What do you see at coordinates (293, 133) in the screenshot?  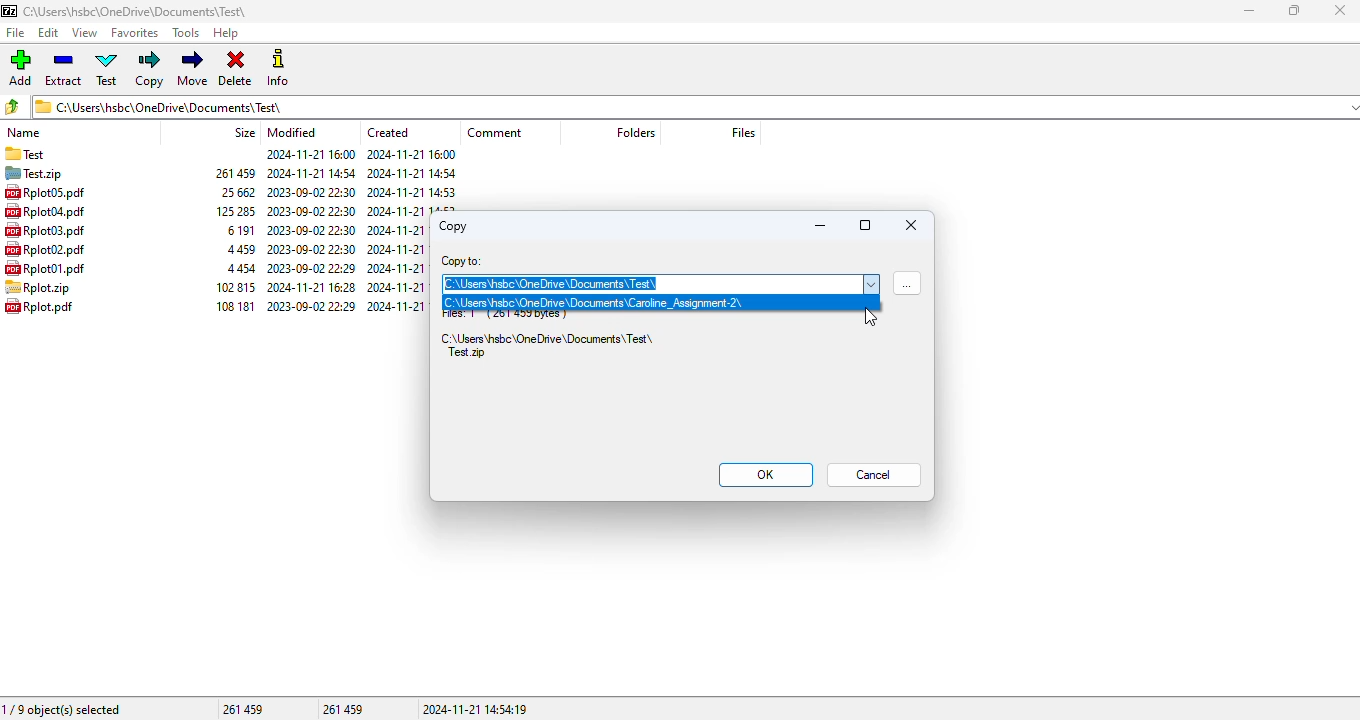 I see `modified` at bounding box center [293, 133].